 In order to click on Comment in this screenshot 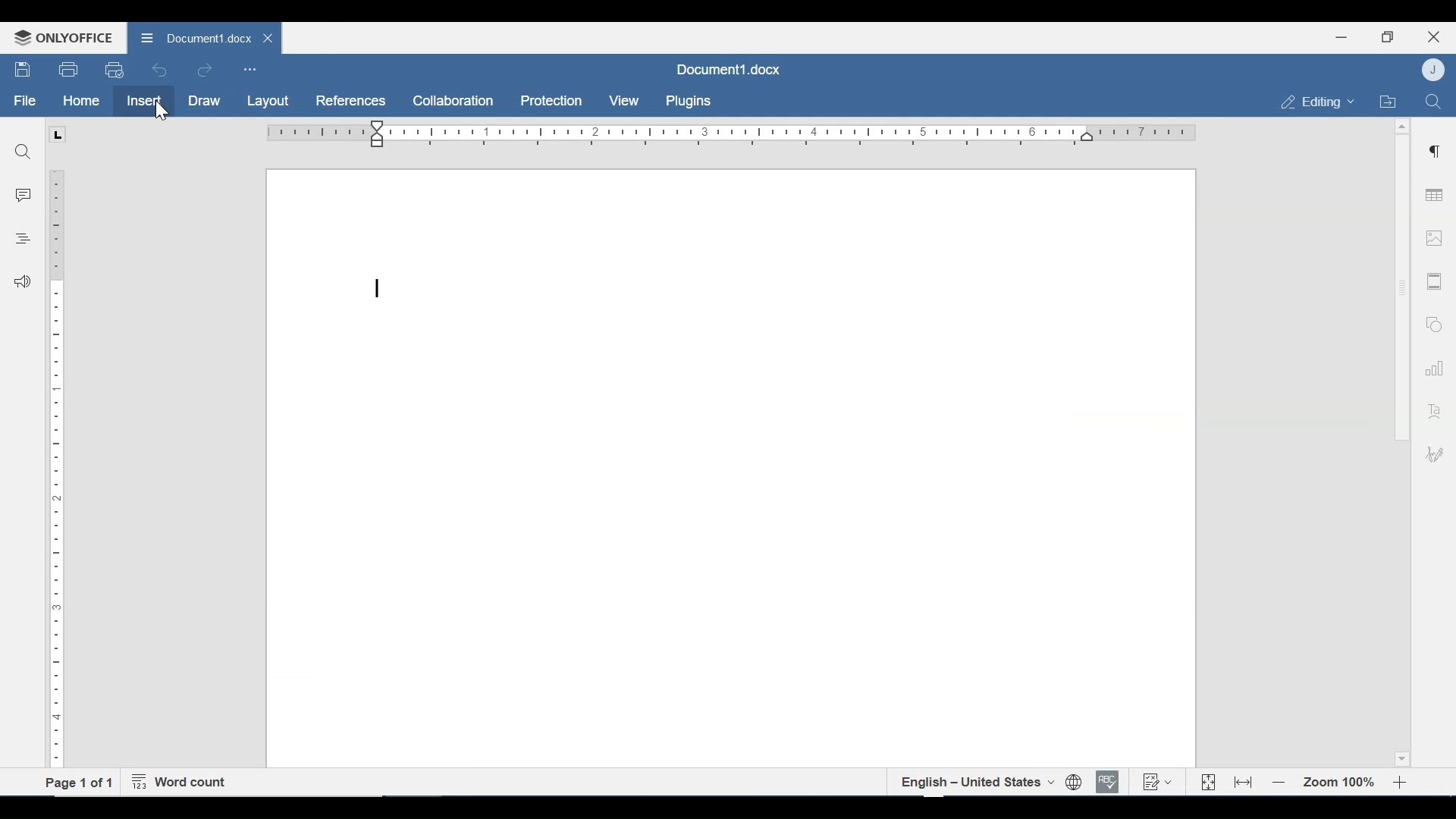, I will do `click(24, 196)`.